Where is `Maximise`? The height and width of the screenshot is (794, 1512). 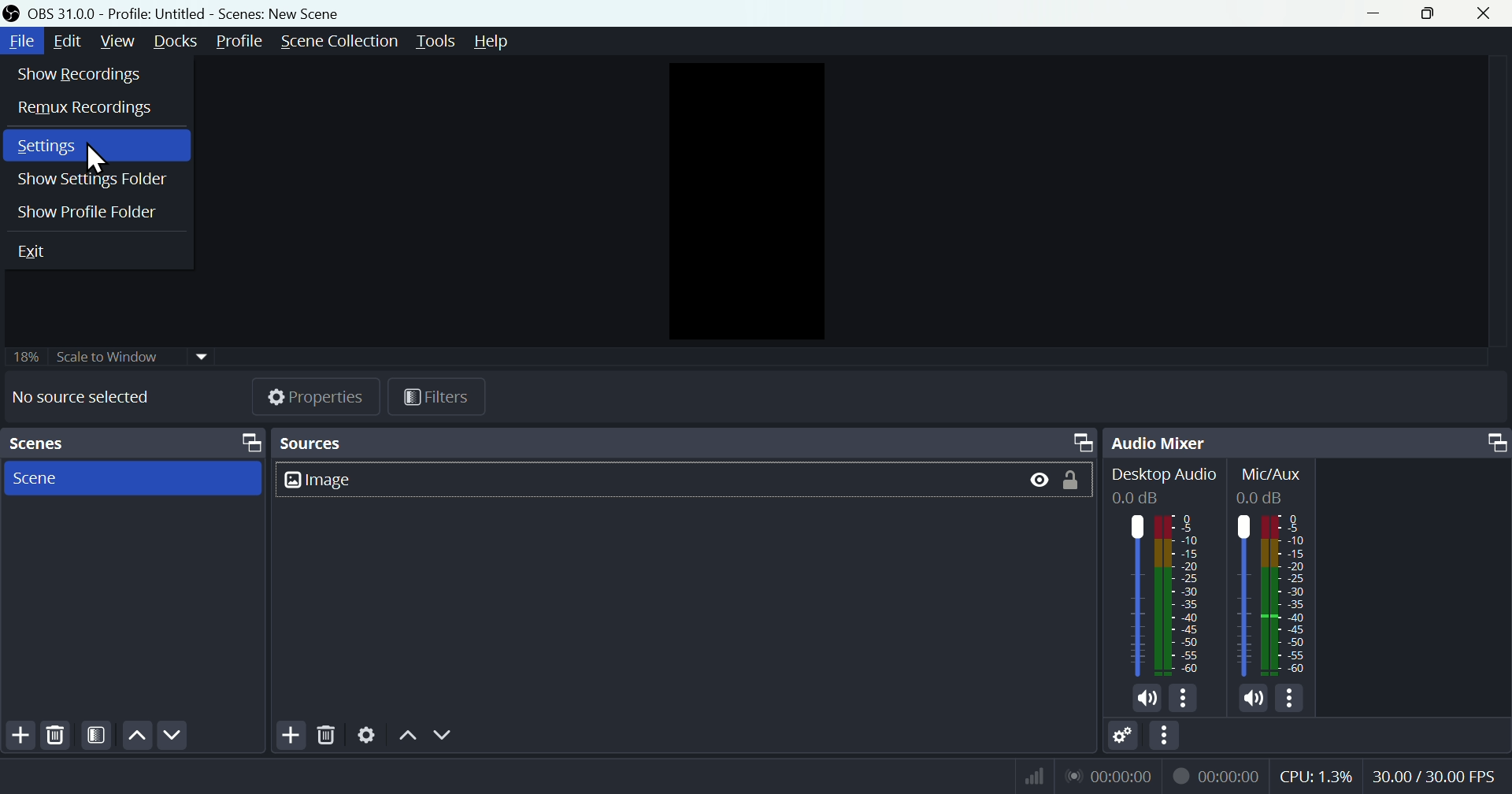 Maximise is located at coordinates (1434, 13).